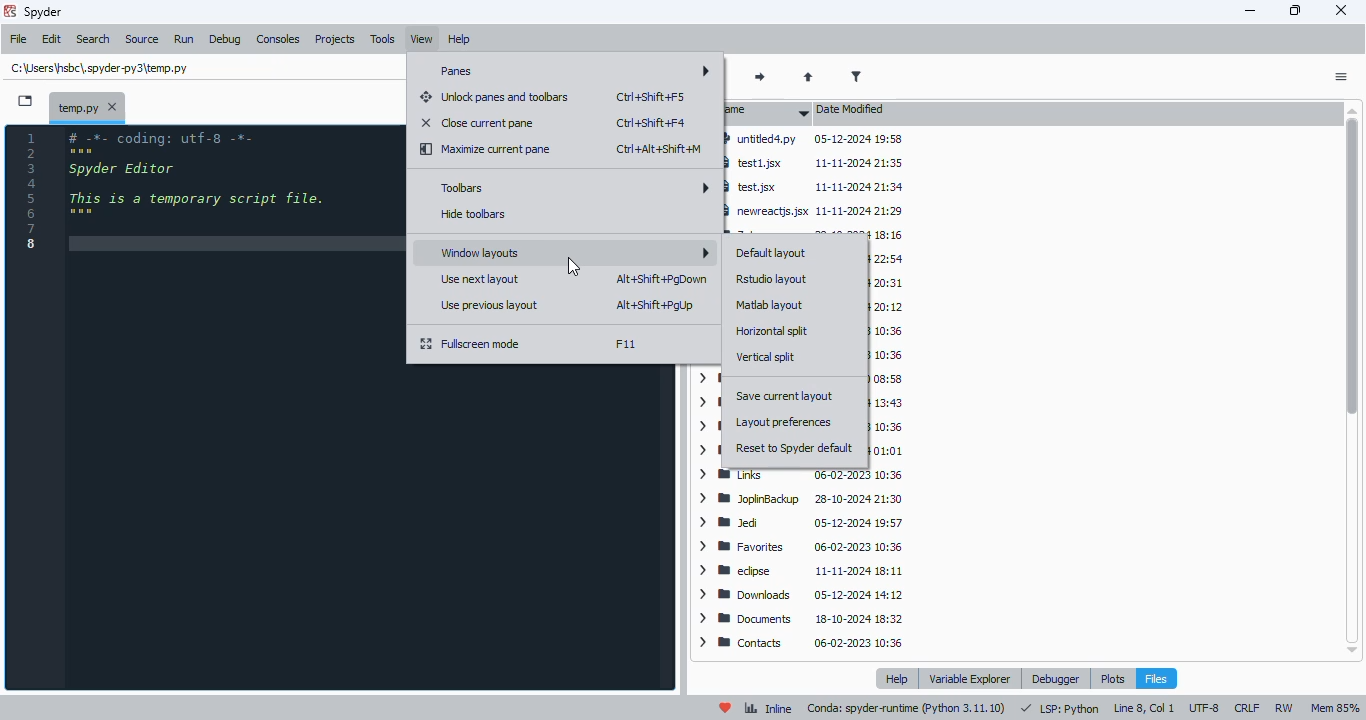  What do you see at coordinates (487, 150) in the screenshot?
I see `maximize current pane` at bounding box center [487, 150].